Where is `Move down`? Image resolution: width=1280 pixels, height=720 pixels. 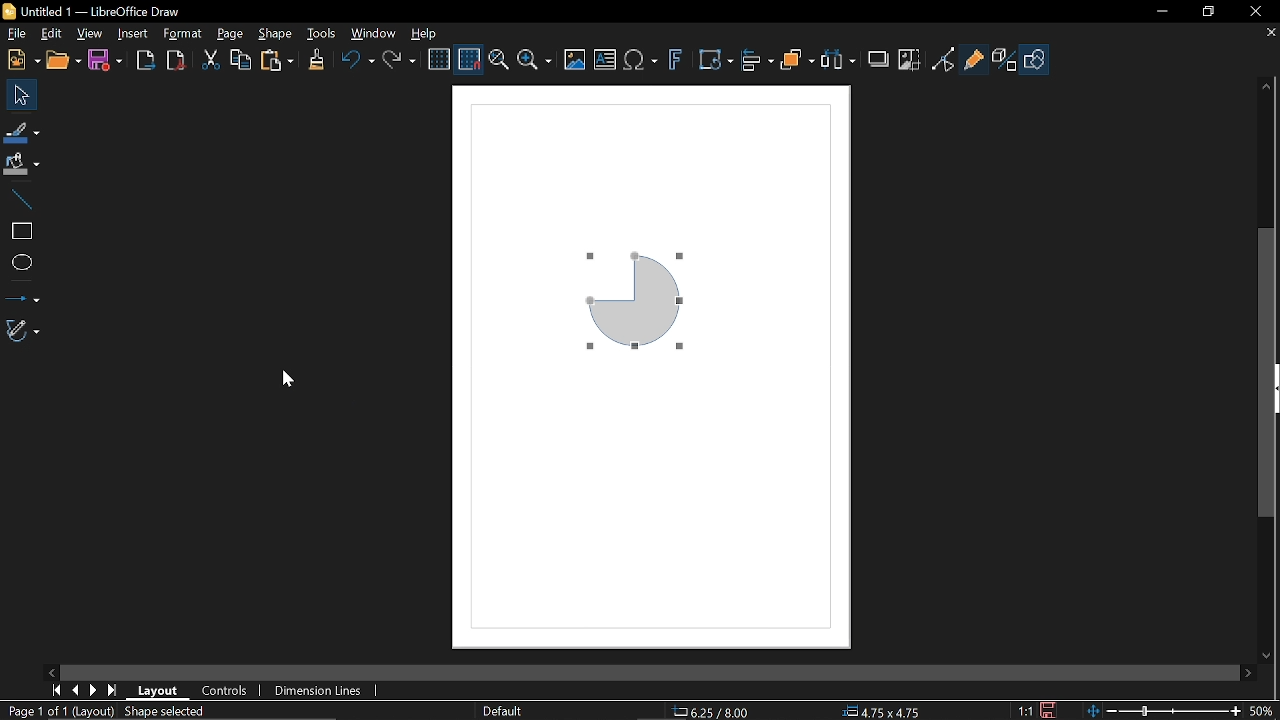
Move down is located at coordinates (1271, 656).